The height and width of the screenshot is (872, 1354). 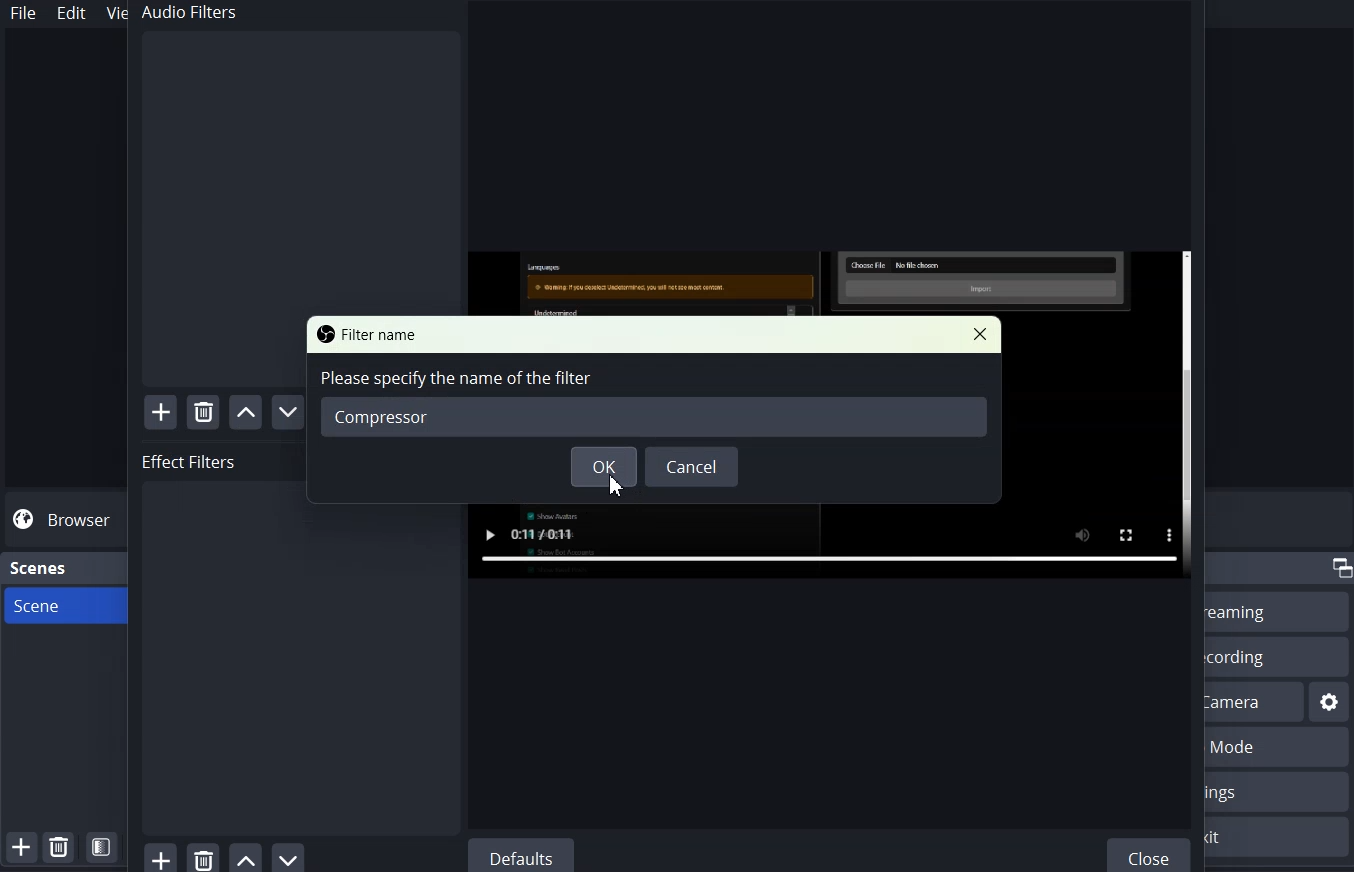 What do you see at coordinates (161, 412) in the screenshot?
I see `Add Filter` at bounding box center [161, 412].